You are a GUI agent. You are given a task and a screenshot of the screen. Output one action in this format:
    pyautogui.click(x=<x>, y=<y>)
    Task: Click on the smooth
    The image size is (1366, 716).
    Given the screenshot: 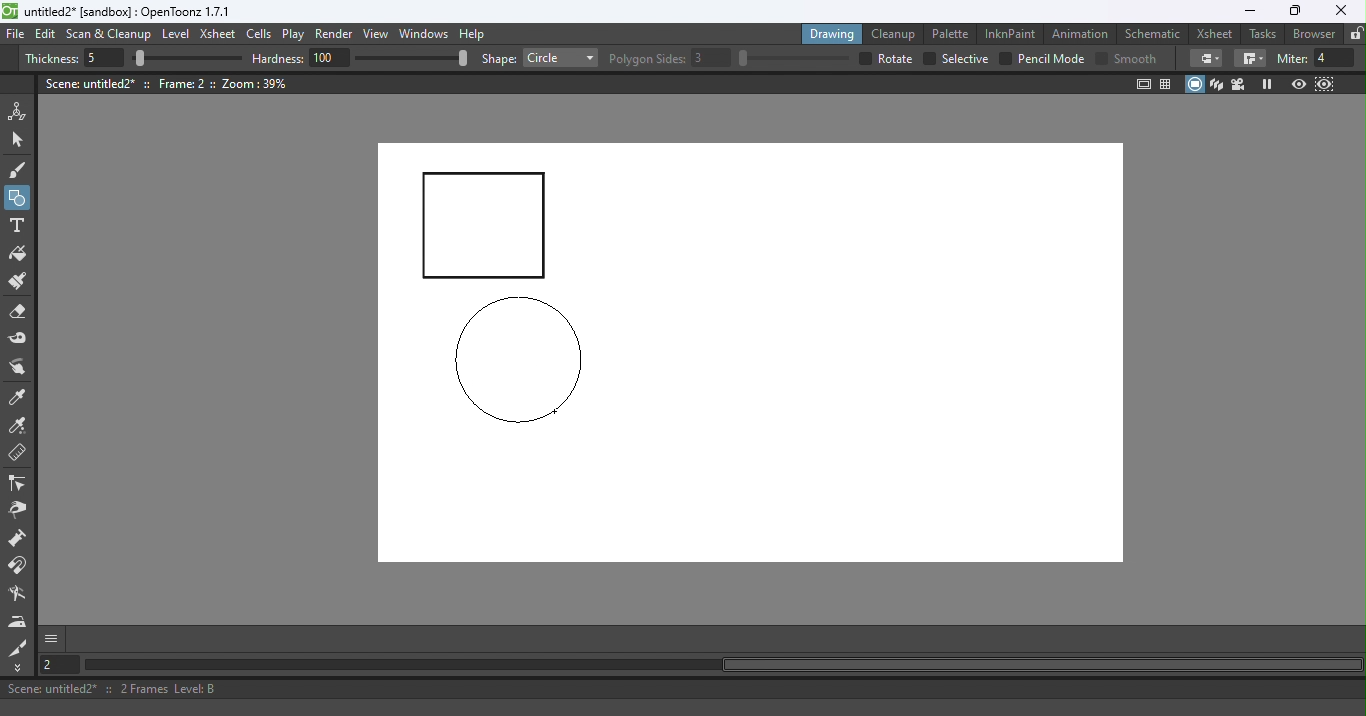 What is the action you would take?
    pyautogui.click(x=1138, y=58)
    